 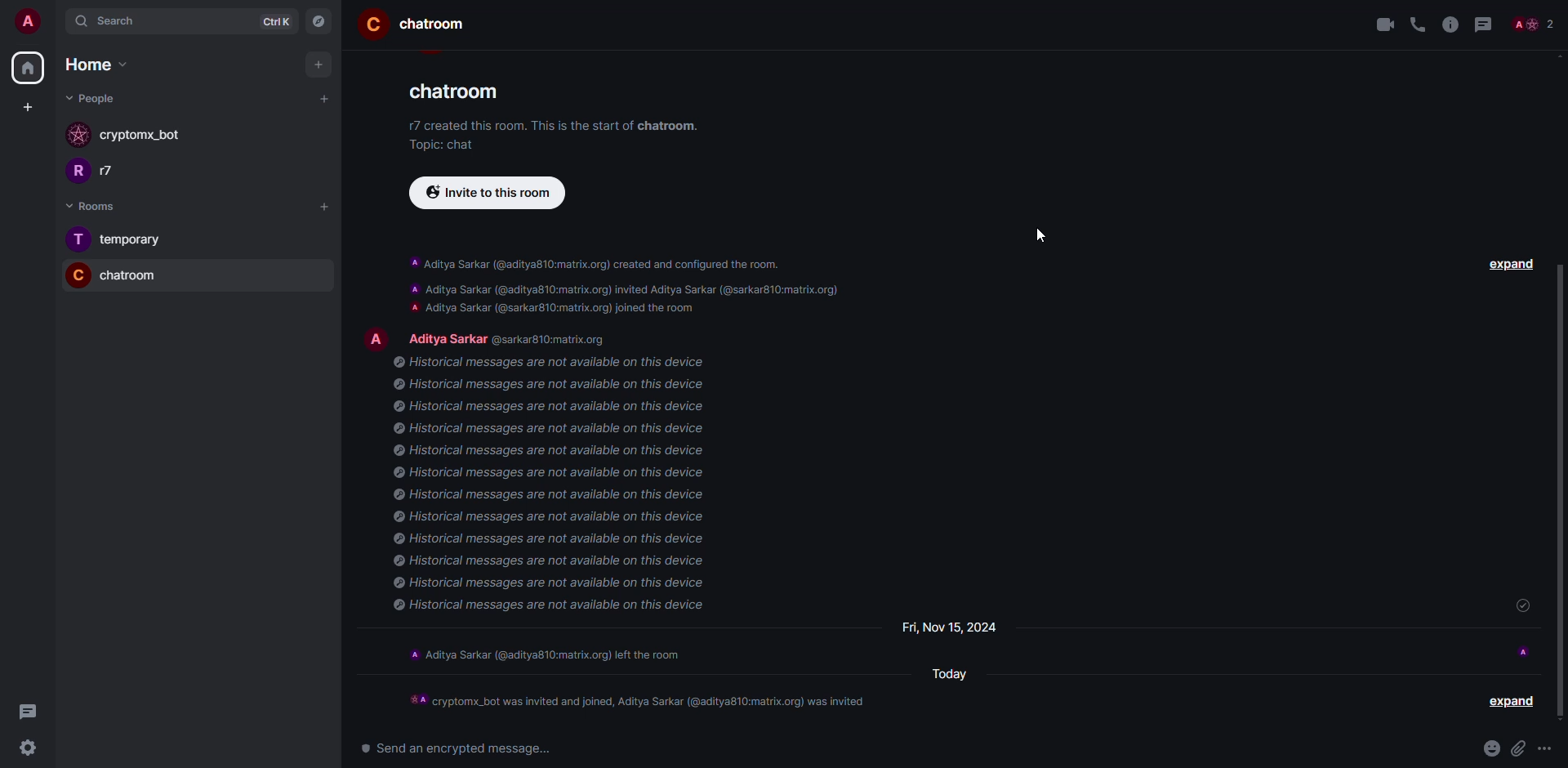 I want to click on sent, so click(x=1526, y=607).